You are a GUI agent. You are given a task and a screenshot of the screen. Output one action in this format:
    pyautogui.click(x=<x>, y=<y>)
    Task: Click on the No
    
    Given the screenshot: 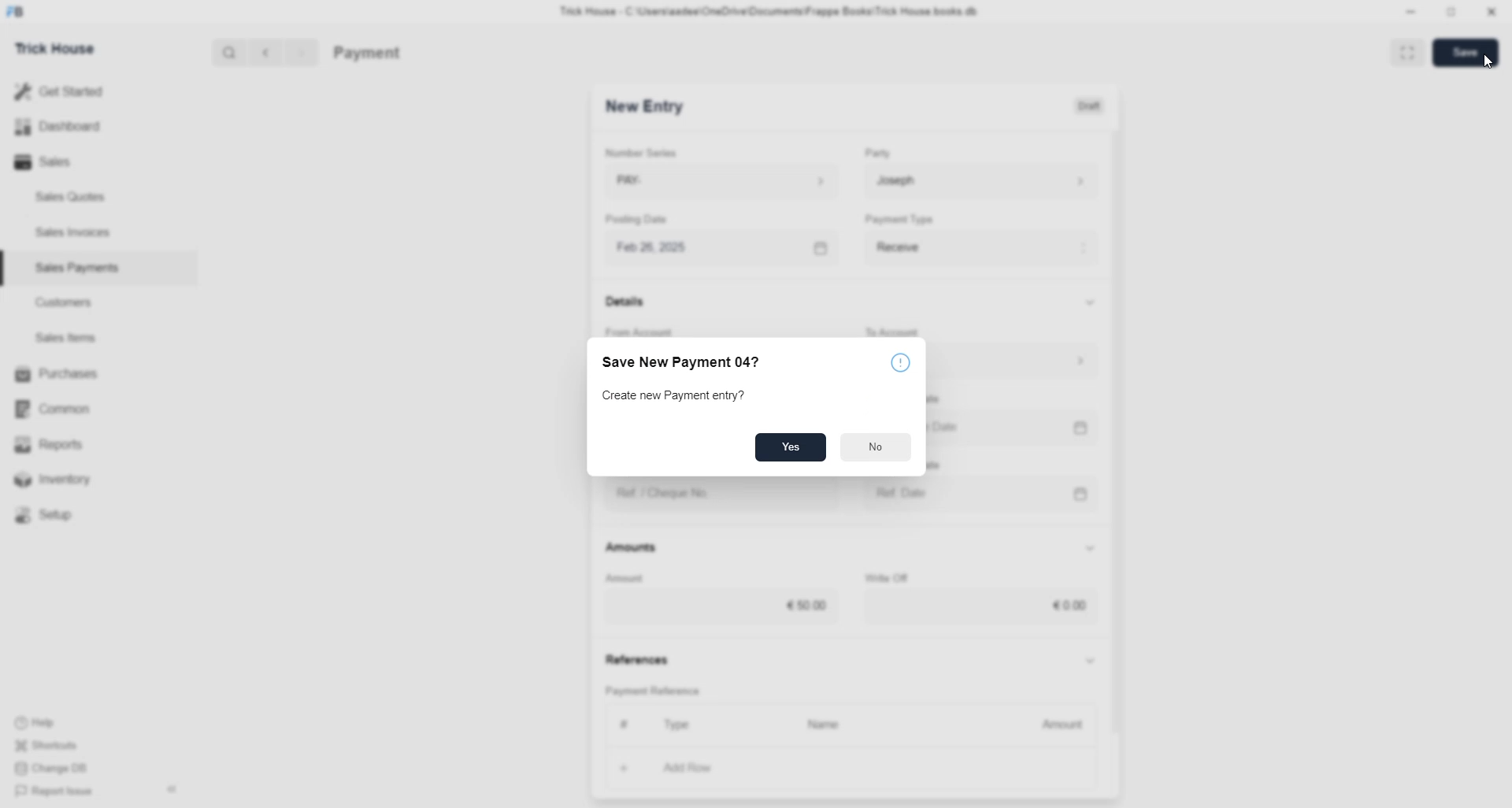 What is the action you would take?
    pyautogui.click(x=876, y=447)
    